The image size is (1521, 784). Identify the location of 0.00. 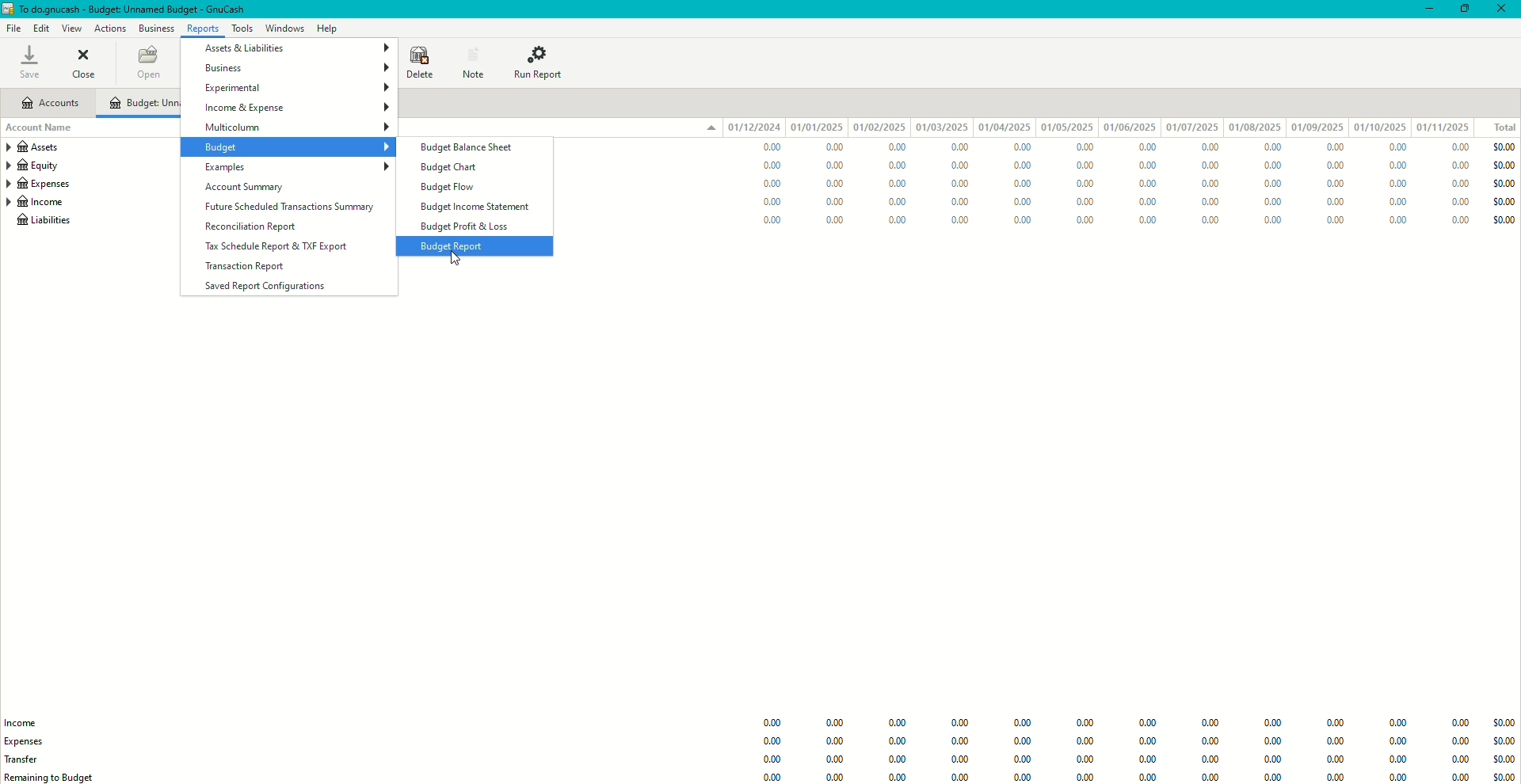
(1458, 147).